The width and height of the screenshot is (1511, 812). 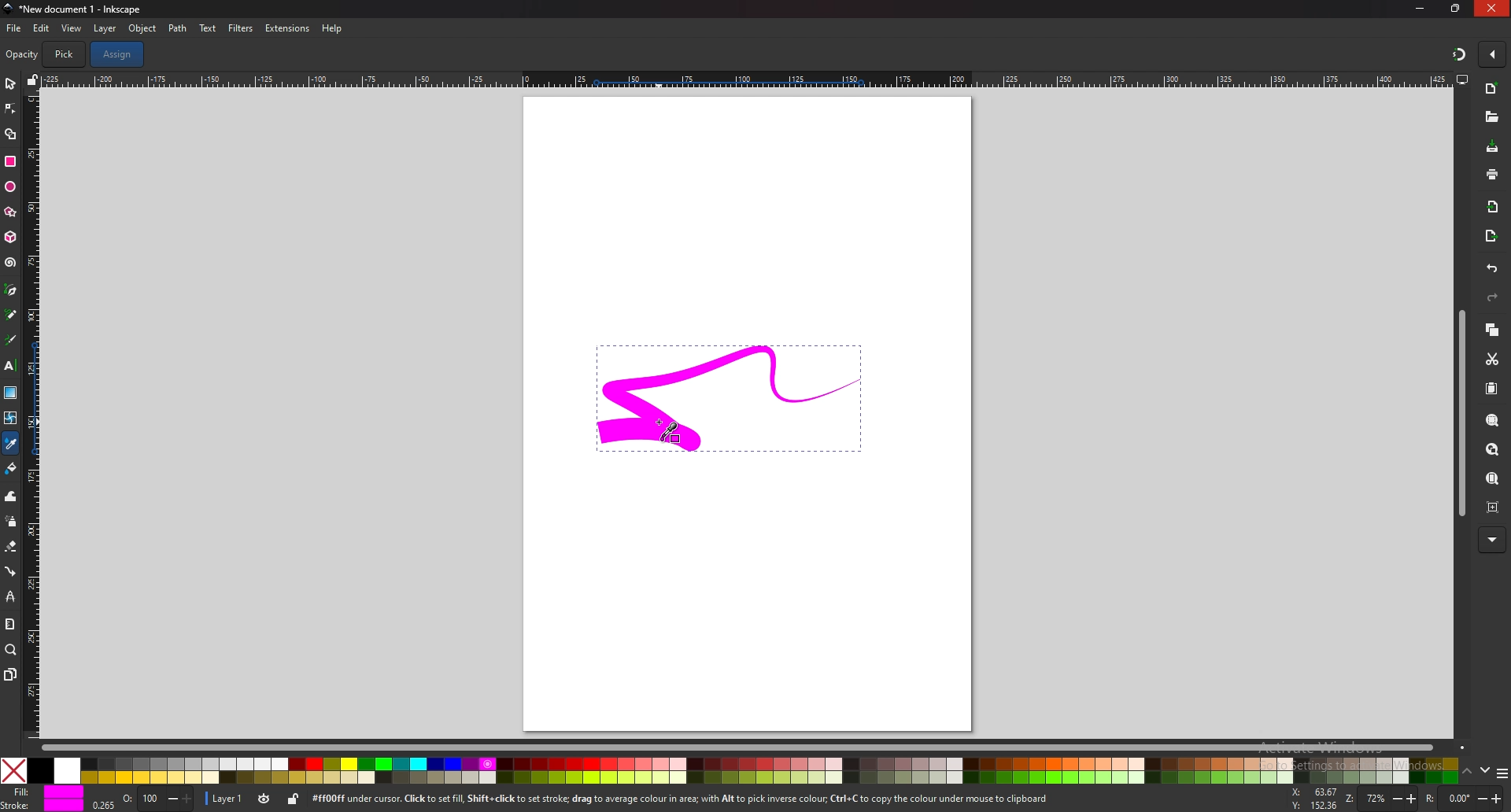 What do you see at coordinates (1490, 90) in the screenshot?
I see `new` at bounding box center [1490, 90].